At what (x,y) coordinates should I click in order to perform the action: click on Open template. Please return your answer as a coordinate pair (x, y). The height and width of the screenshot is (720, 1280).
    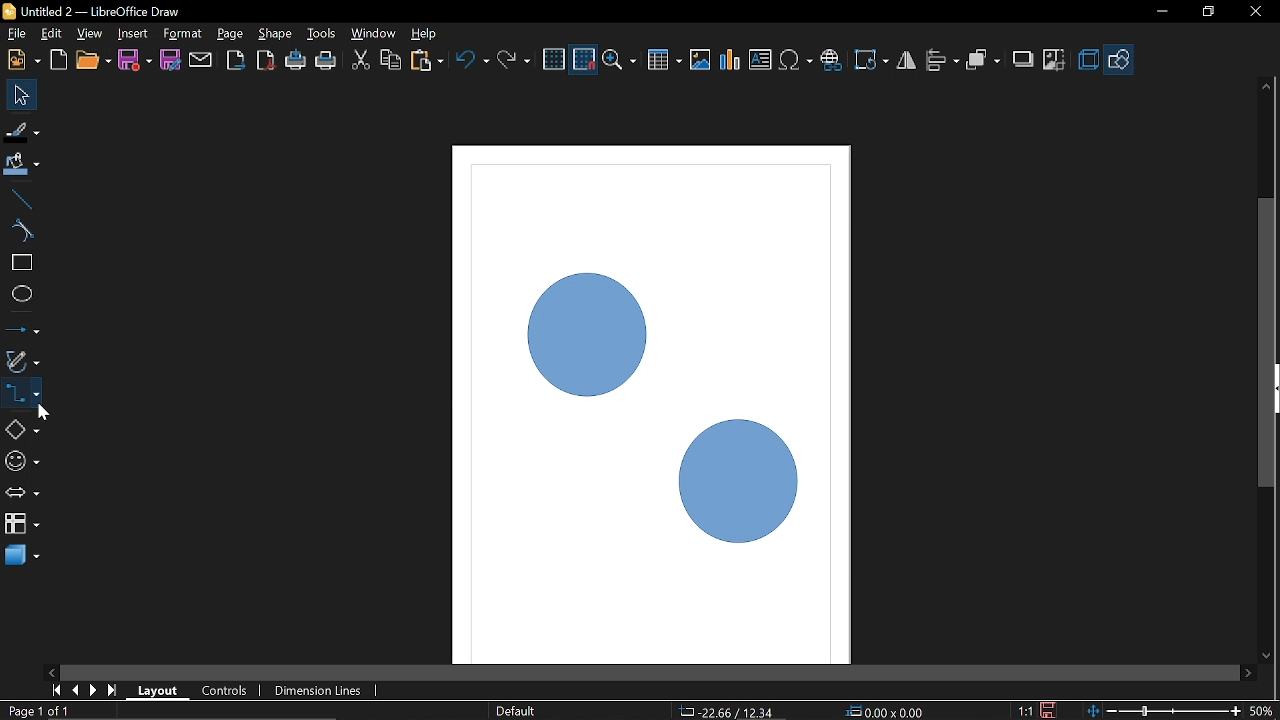
    Looking at the image, I should click on (58, 60).